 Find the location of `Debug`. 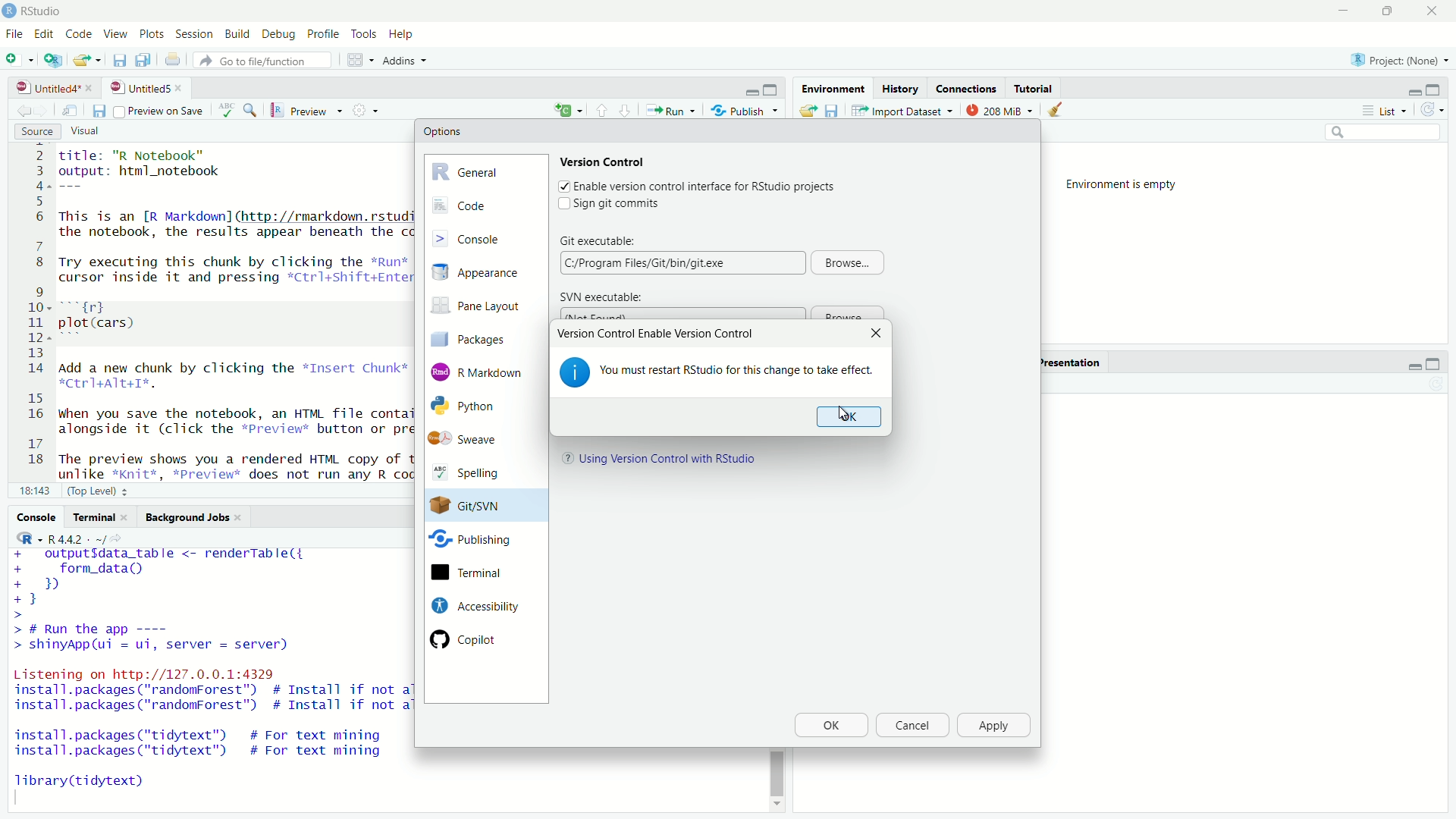

Debug is located at coordinates (280, 36).